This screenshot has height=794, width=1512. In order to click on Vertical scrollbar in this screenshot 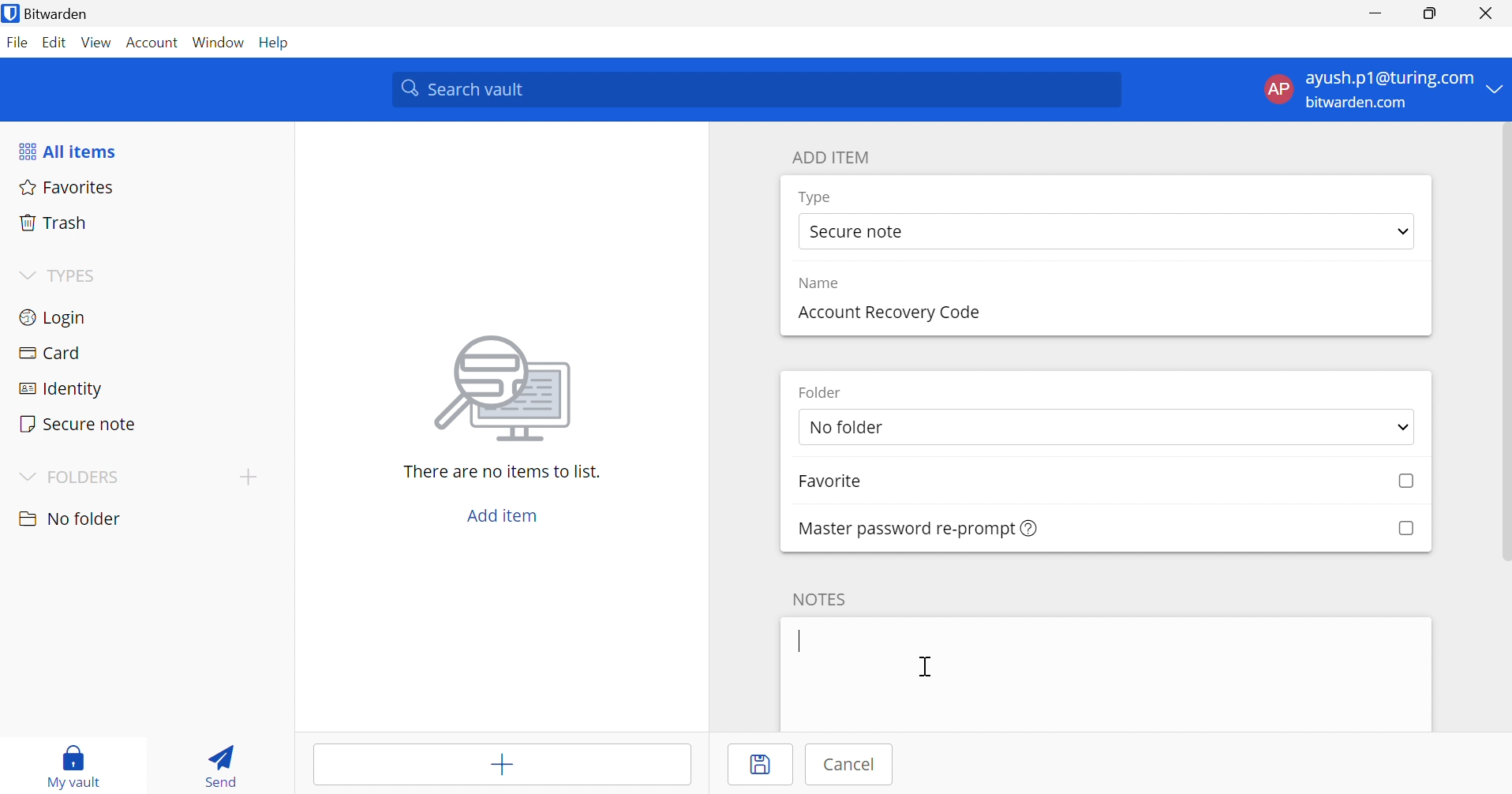, I will do `click(1503, 347)`.